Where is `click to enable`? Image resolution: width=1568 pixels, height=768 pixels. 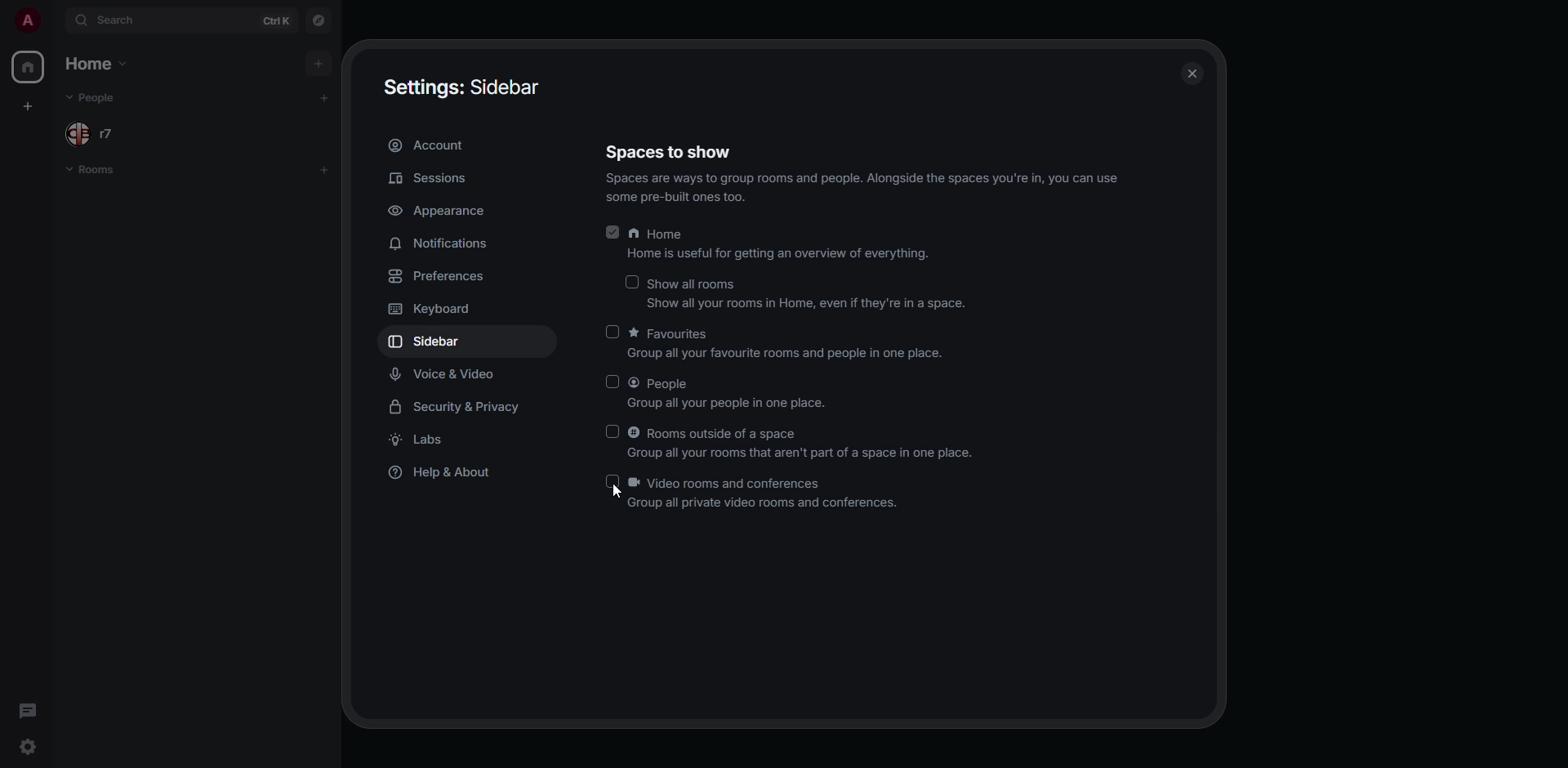
click to enable is located at coordinates (613, 430).